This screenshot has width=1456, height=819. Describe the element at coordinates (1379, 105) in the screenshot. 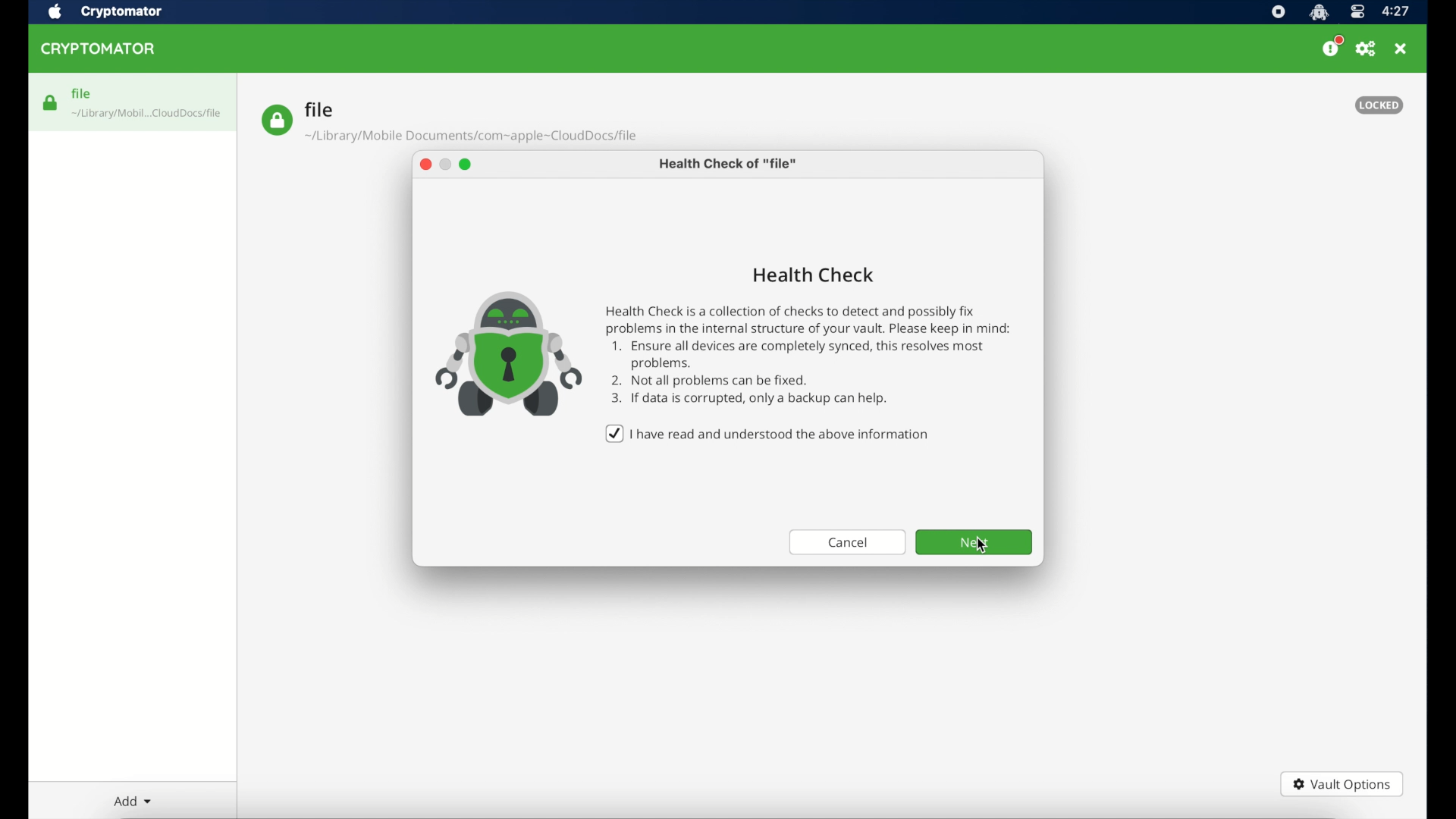

I see `locked` at that location.